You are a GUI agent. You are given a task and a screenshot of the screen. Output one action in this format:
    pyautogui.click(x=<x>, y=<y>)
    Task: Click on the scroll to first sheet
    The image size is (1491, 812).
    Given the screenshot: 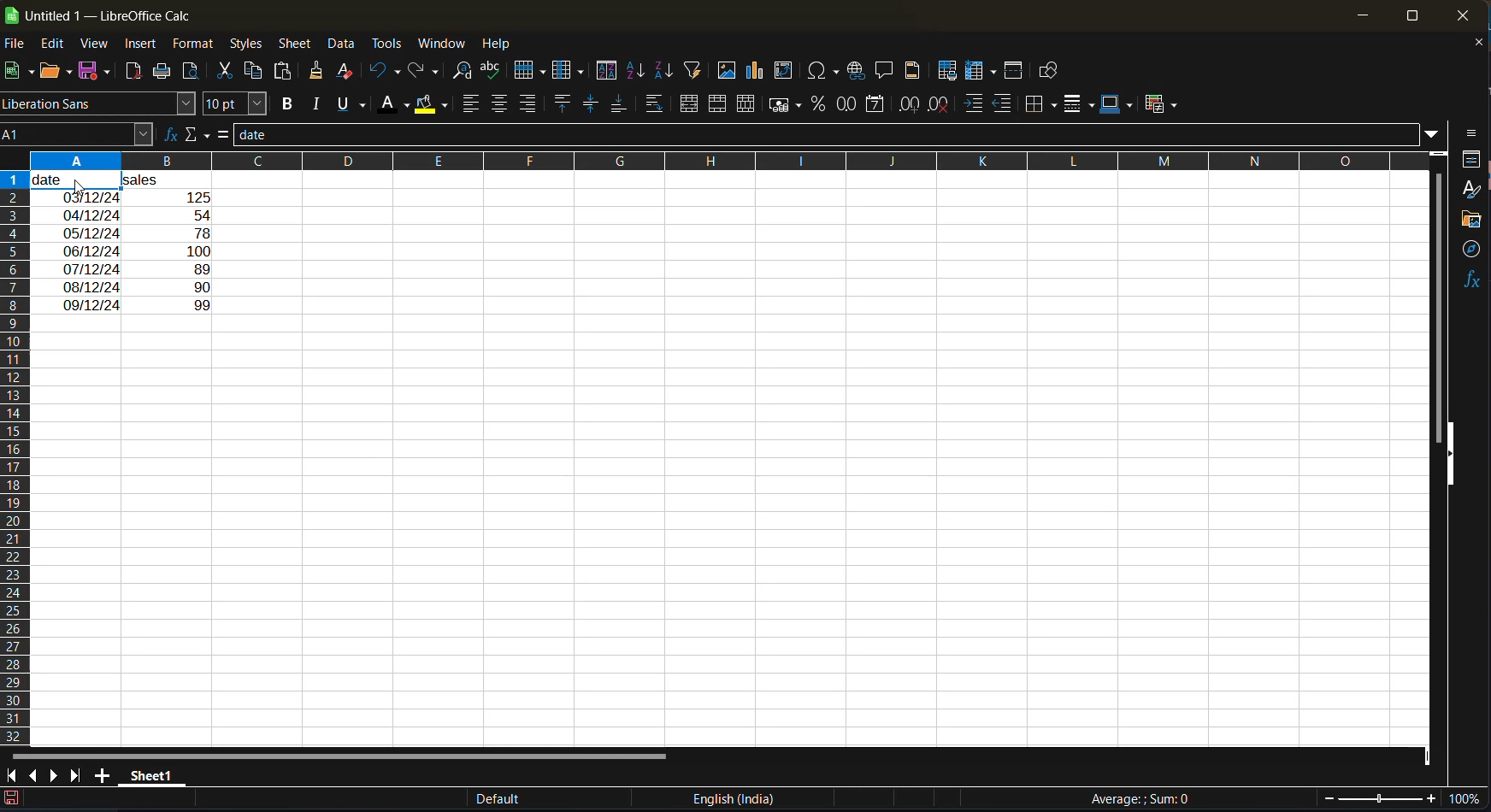 What is the action you would take?
    pyautogui.click(x=9, y=776)
    